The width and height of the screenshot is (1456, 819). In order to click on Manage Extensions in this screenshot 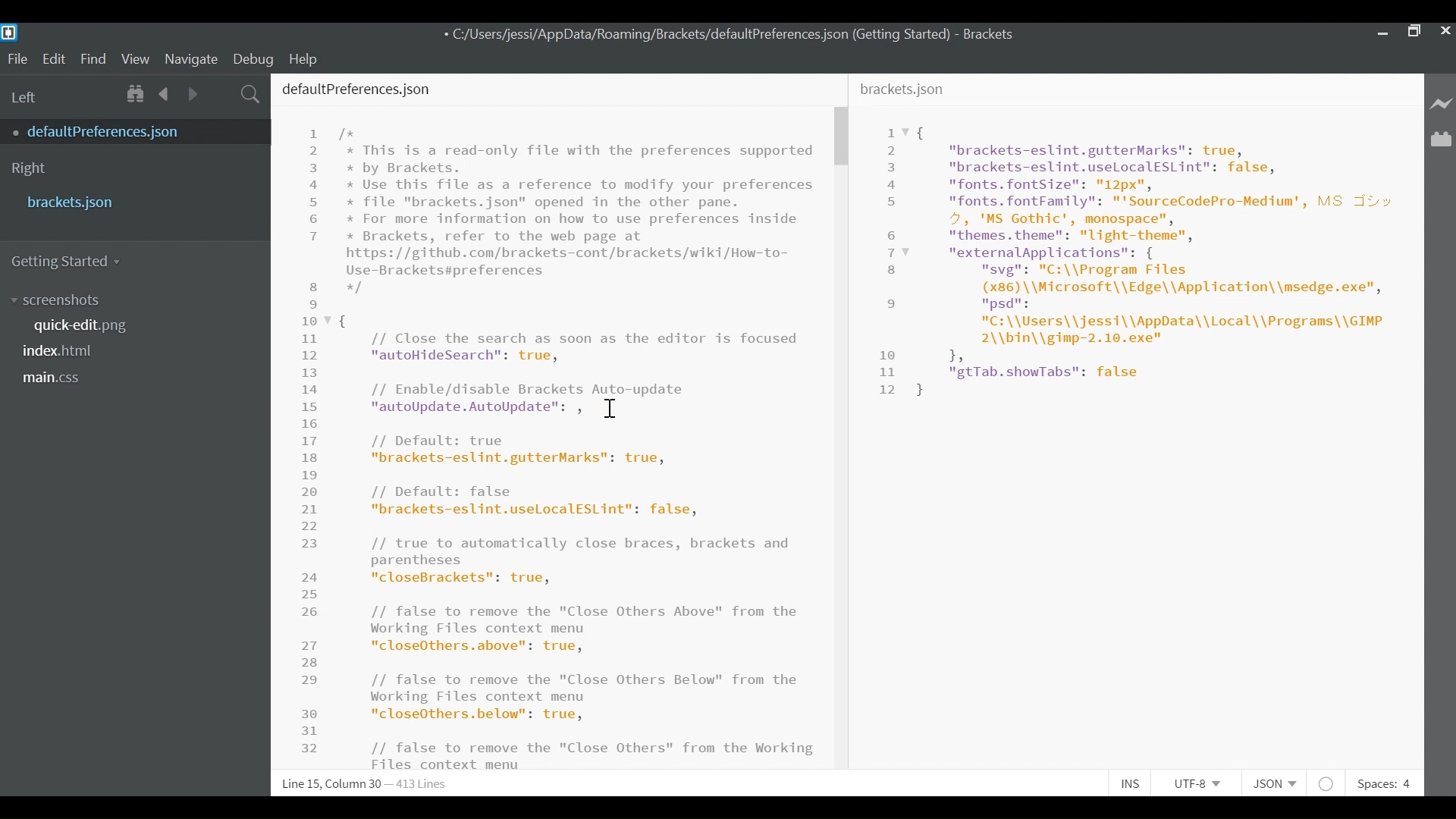, I will do `click(1441, 140)`.